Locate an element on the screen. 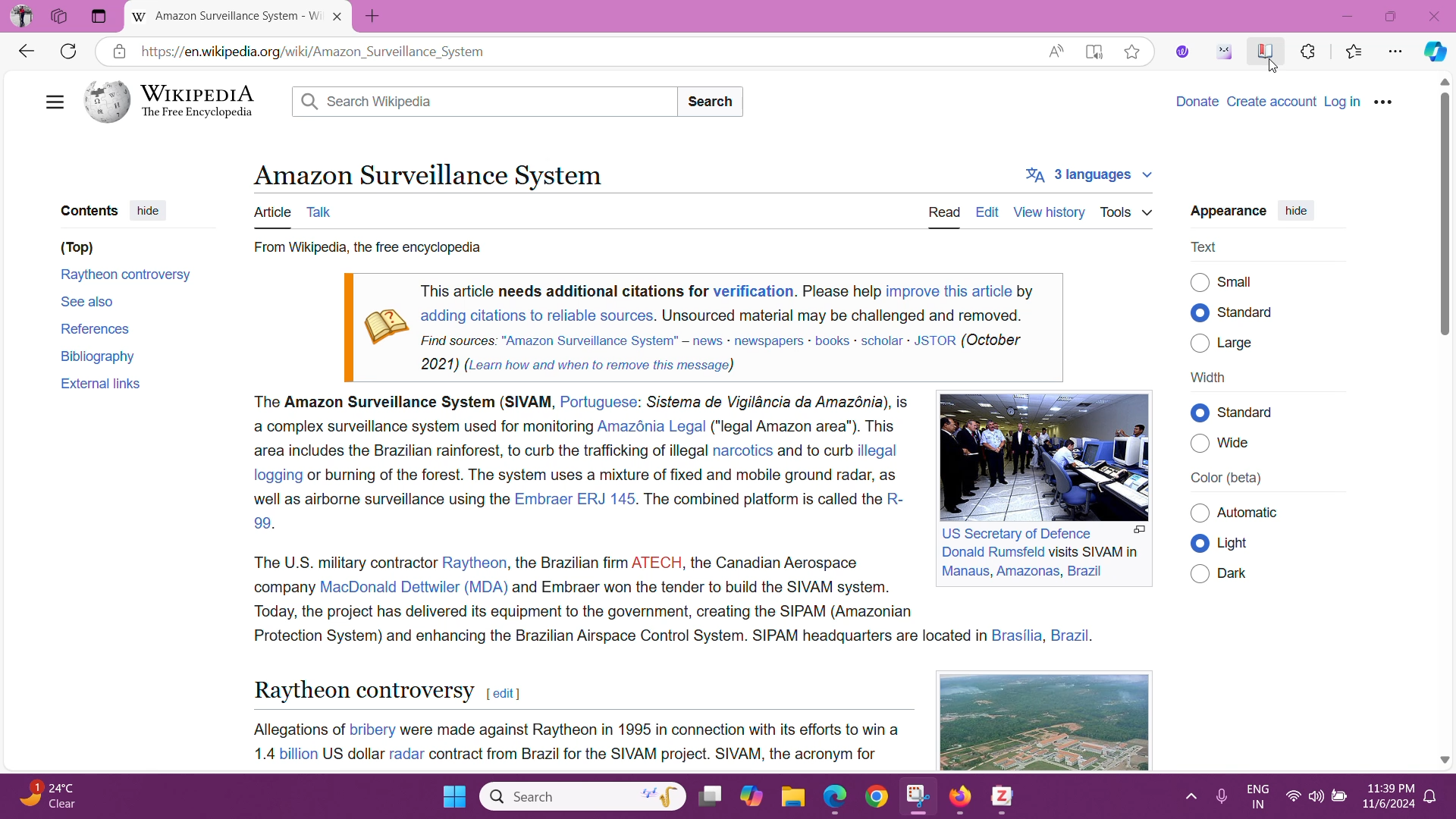 Image resolution: width=1456 pixels, height=819 pixels. microphone is located at coordinates (1219, 798).